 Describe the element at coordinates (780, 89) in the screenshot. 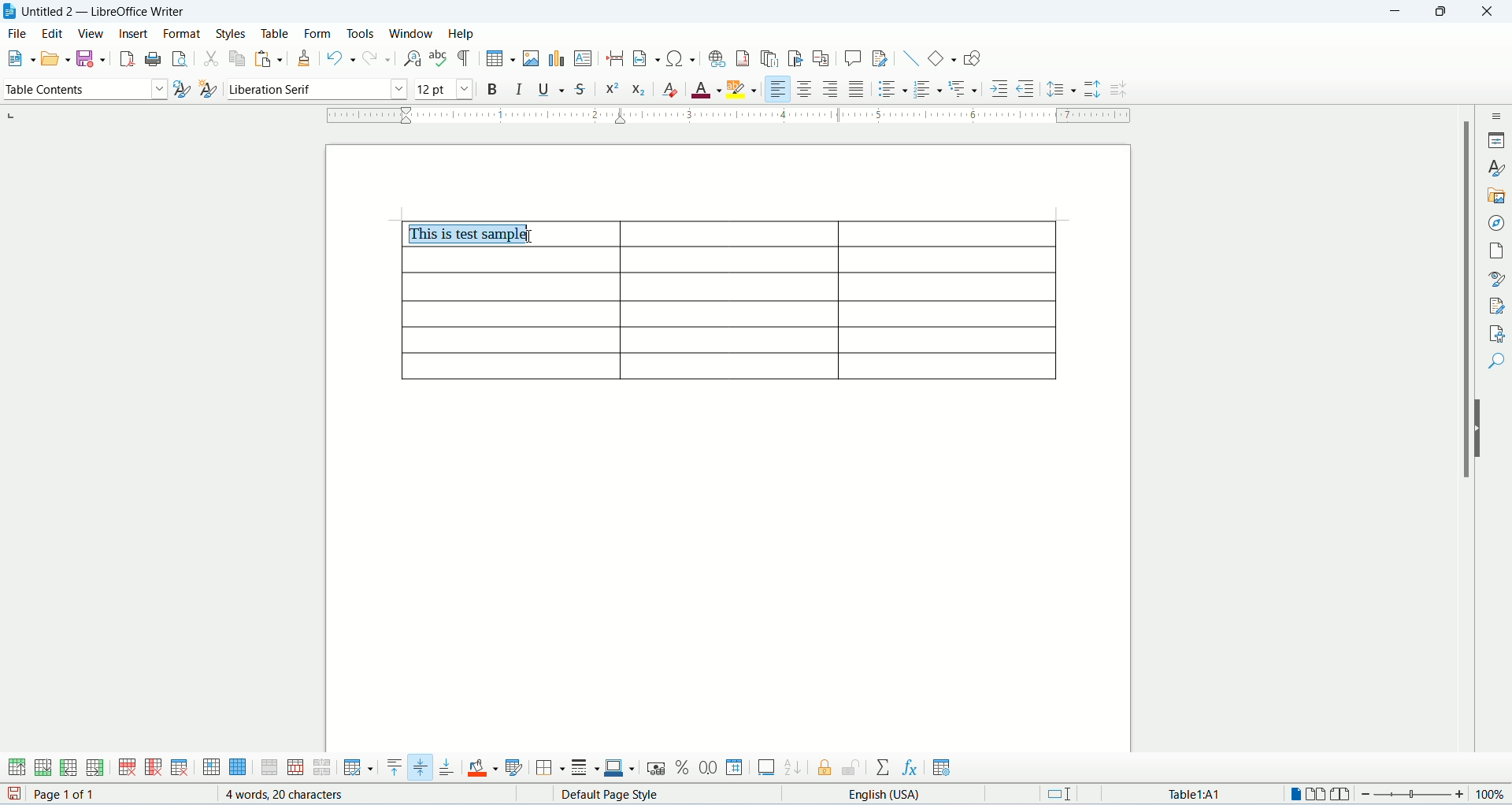

I see `align left` at that location.